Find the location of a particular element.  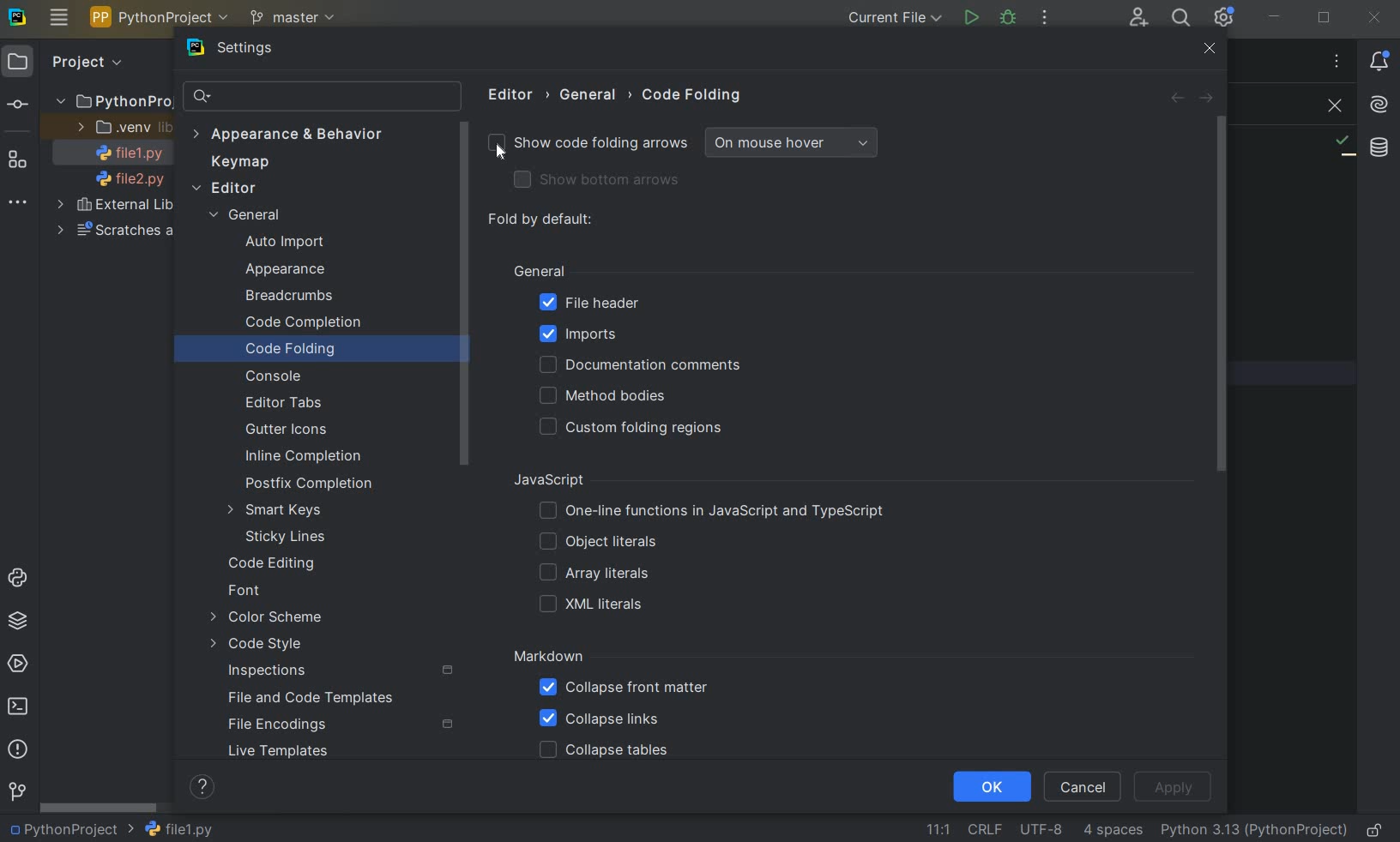

CODE FOLDING is located at coordinates (311, 351).